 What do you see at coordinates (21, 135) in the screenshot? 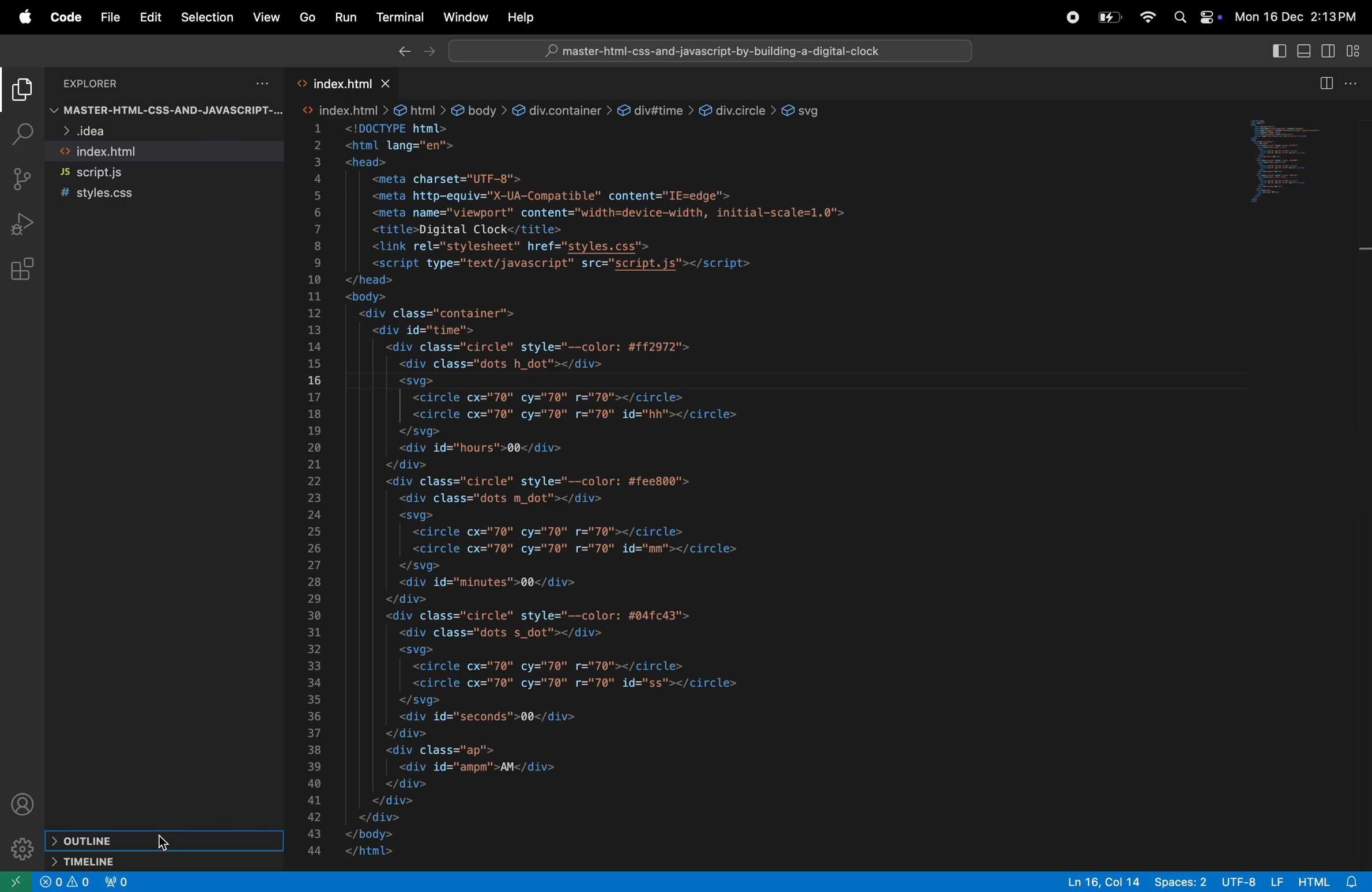
I see `search` at bounding box center [21, 135].